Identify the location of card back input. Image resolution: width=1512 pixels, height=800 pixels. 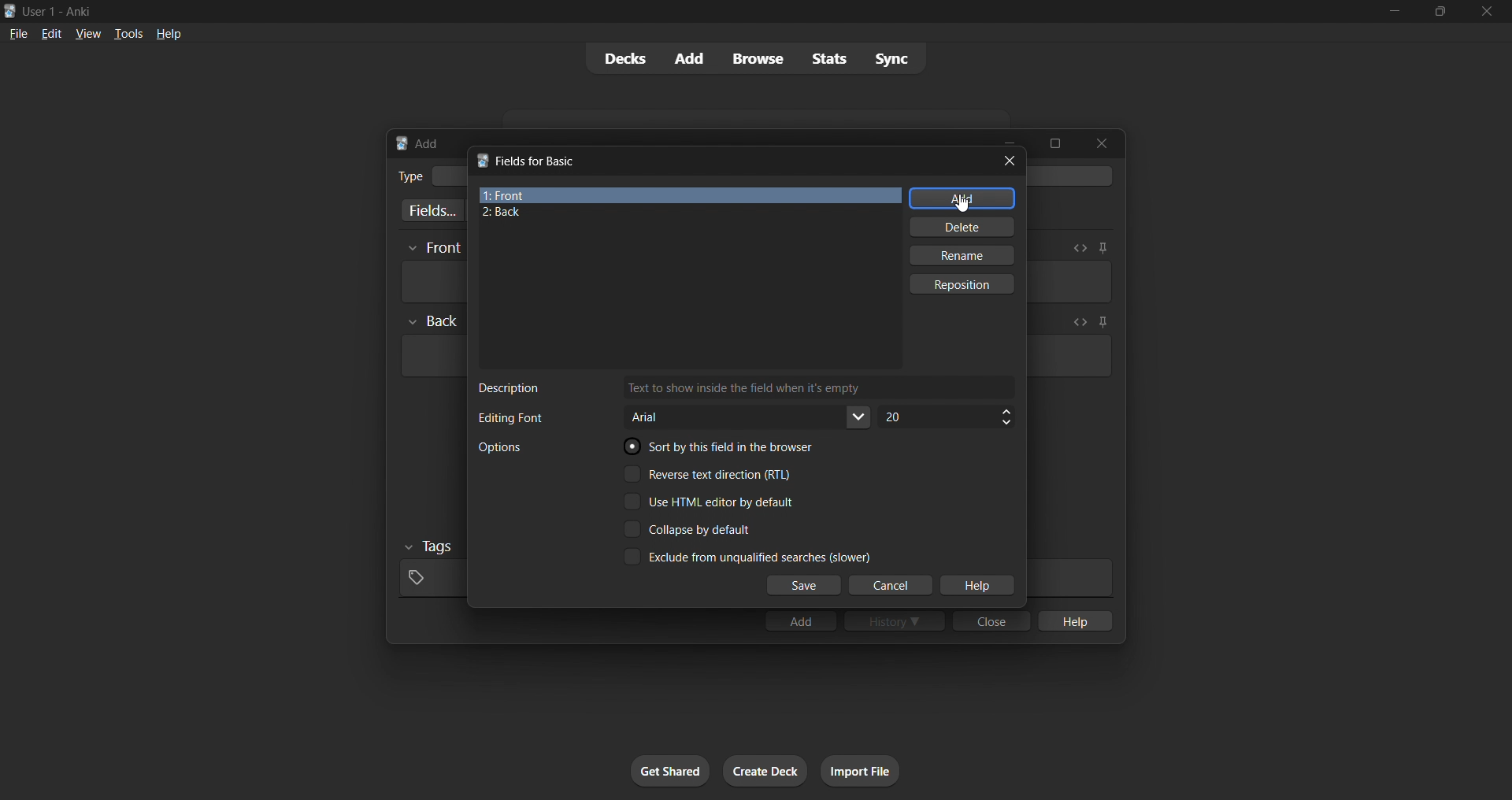
(432, 356).